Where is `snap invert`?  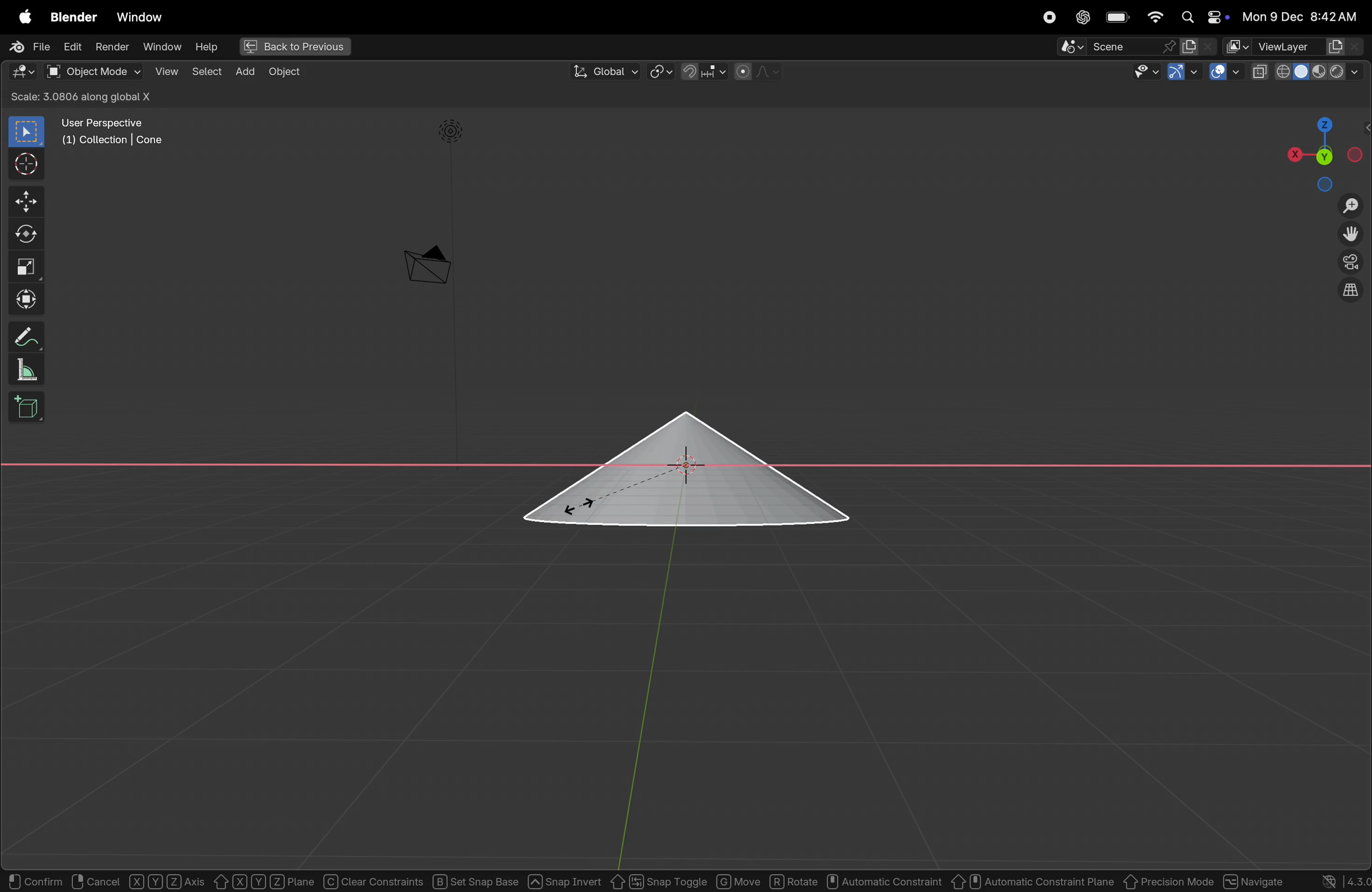
snap invert is located at coordinates (565, 879).